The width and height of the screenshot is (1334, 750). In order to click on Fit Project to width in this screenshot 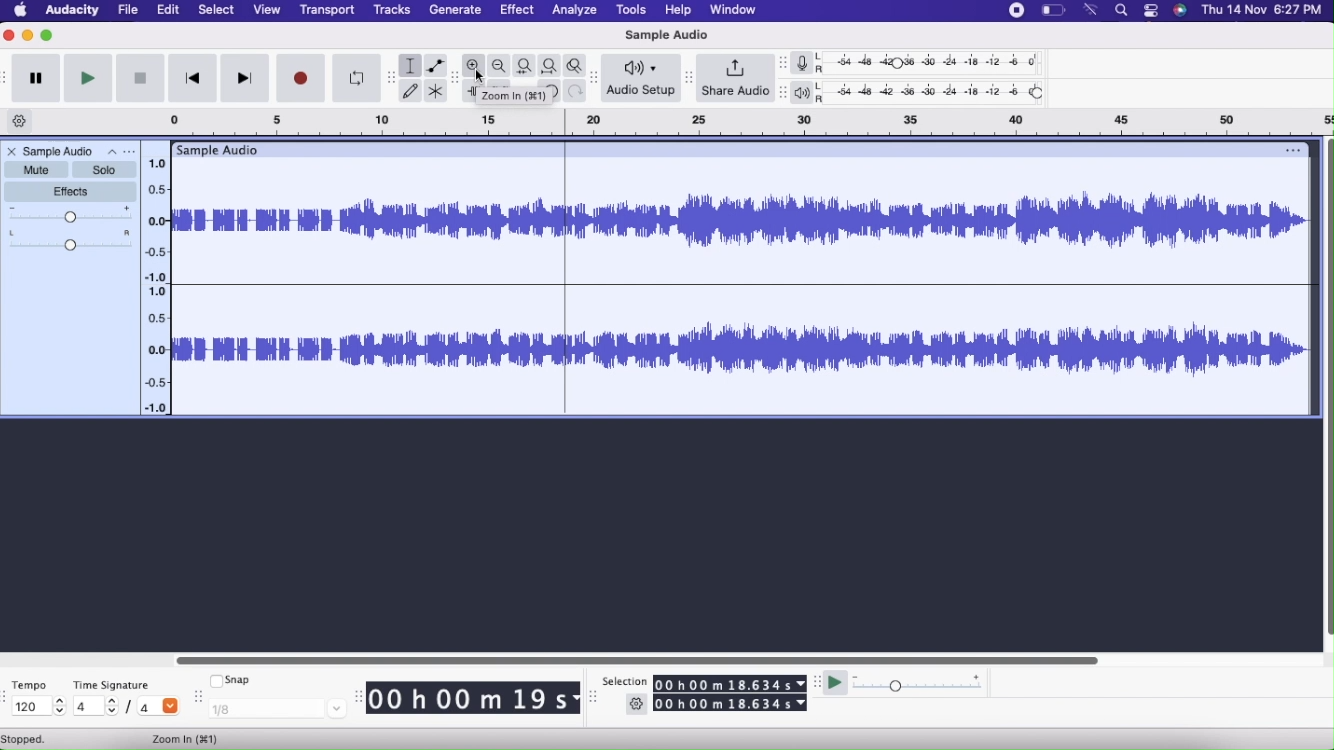, I will do `click(549, 66)`.